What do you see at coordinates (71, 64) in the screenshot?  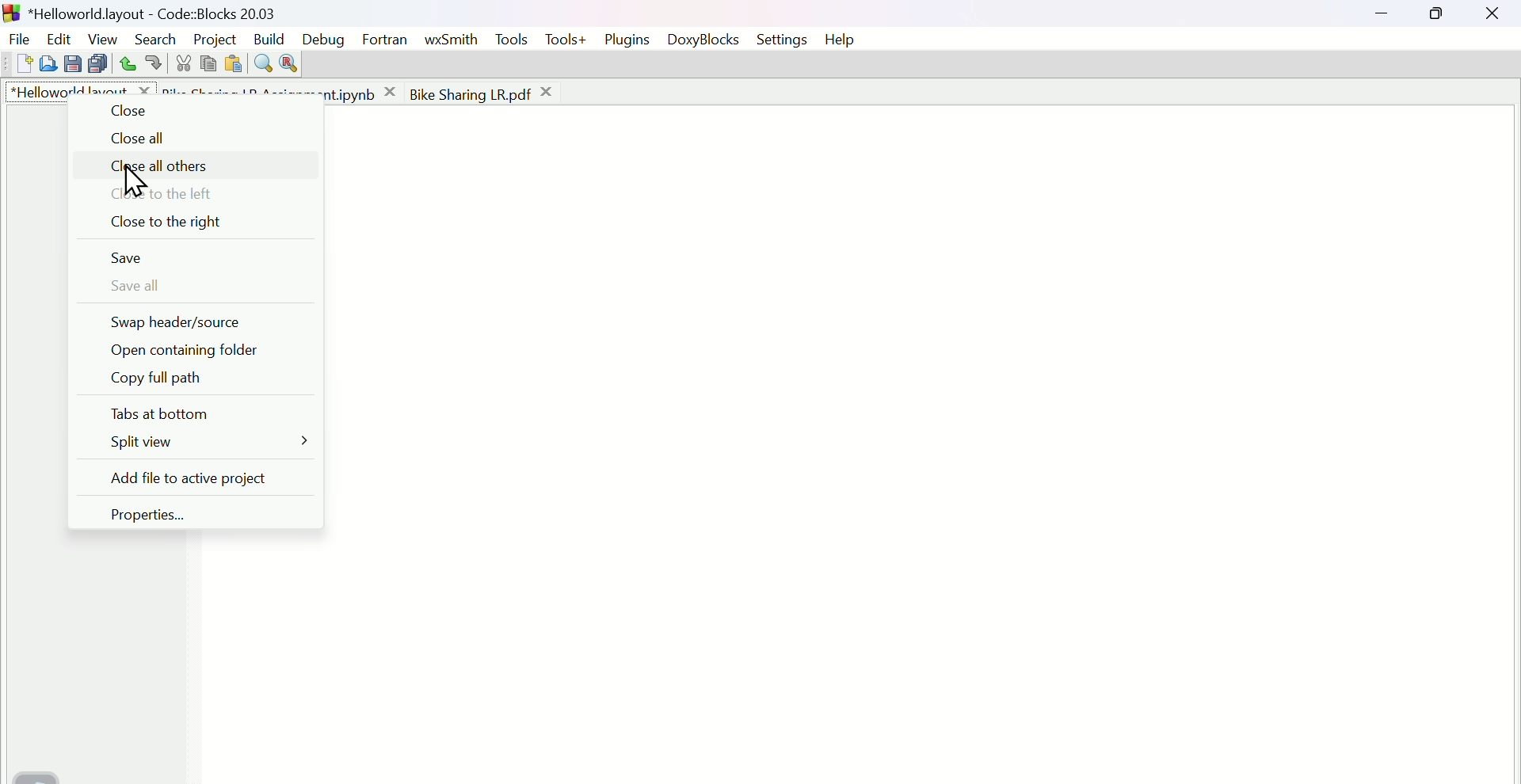 I see `Save as` at bounding box center [71, 64].